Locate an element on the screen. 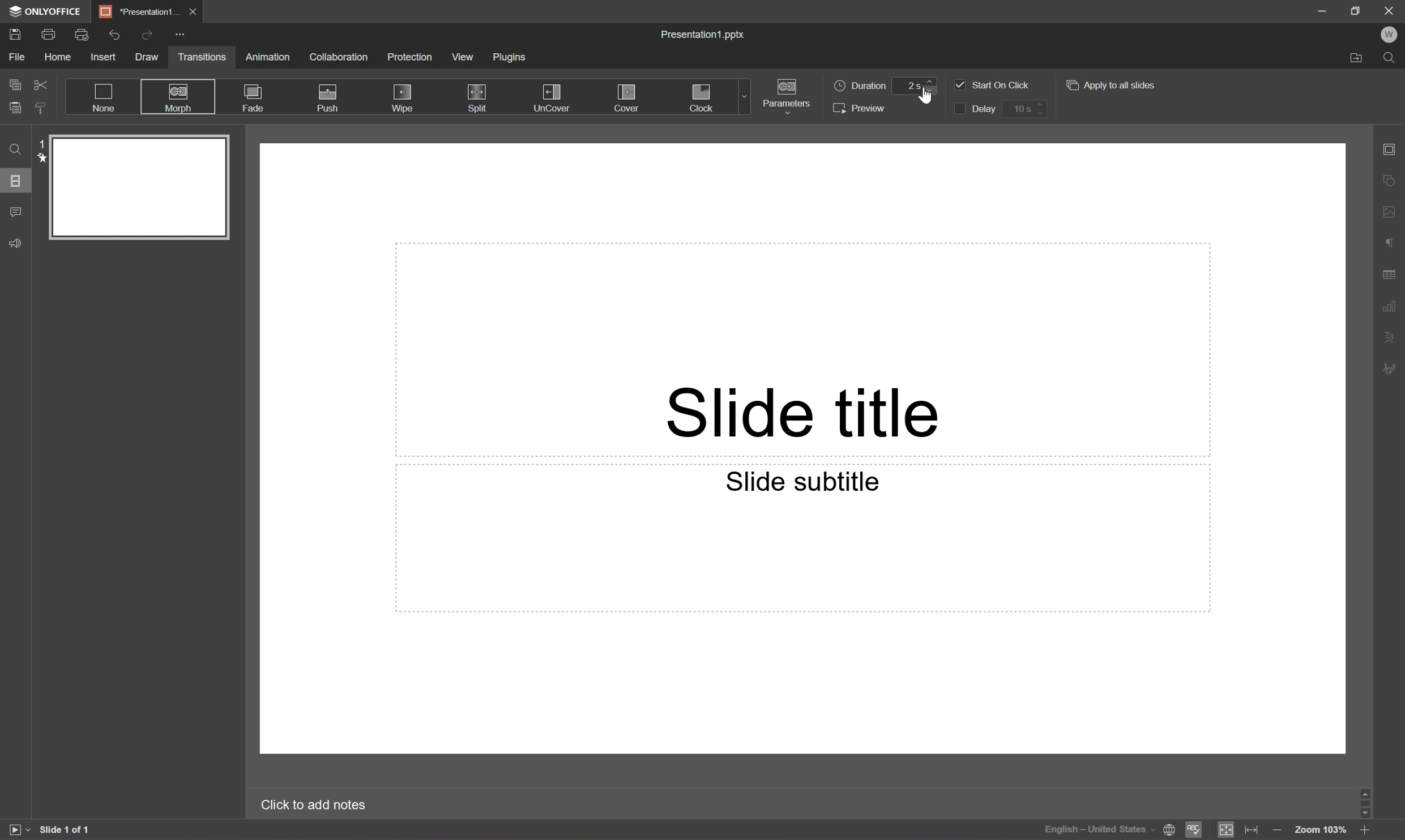 The image size is (1405, 840). Home is located at coordinates (60, 58).